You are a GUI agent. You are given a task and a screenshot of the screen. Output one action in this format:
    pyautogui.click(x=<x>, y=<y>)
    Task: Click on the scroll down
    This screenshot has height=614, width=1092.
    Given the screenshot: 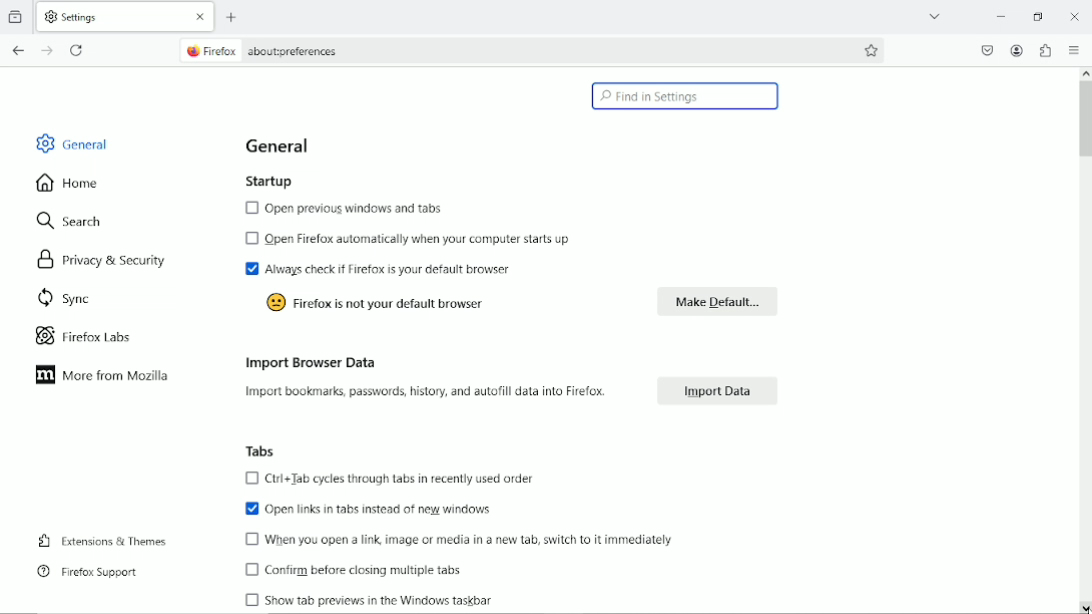 What is the action you would take?
    pyautogui.click(x=1086, y=608)
    